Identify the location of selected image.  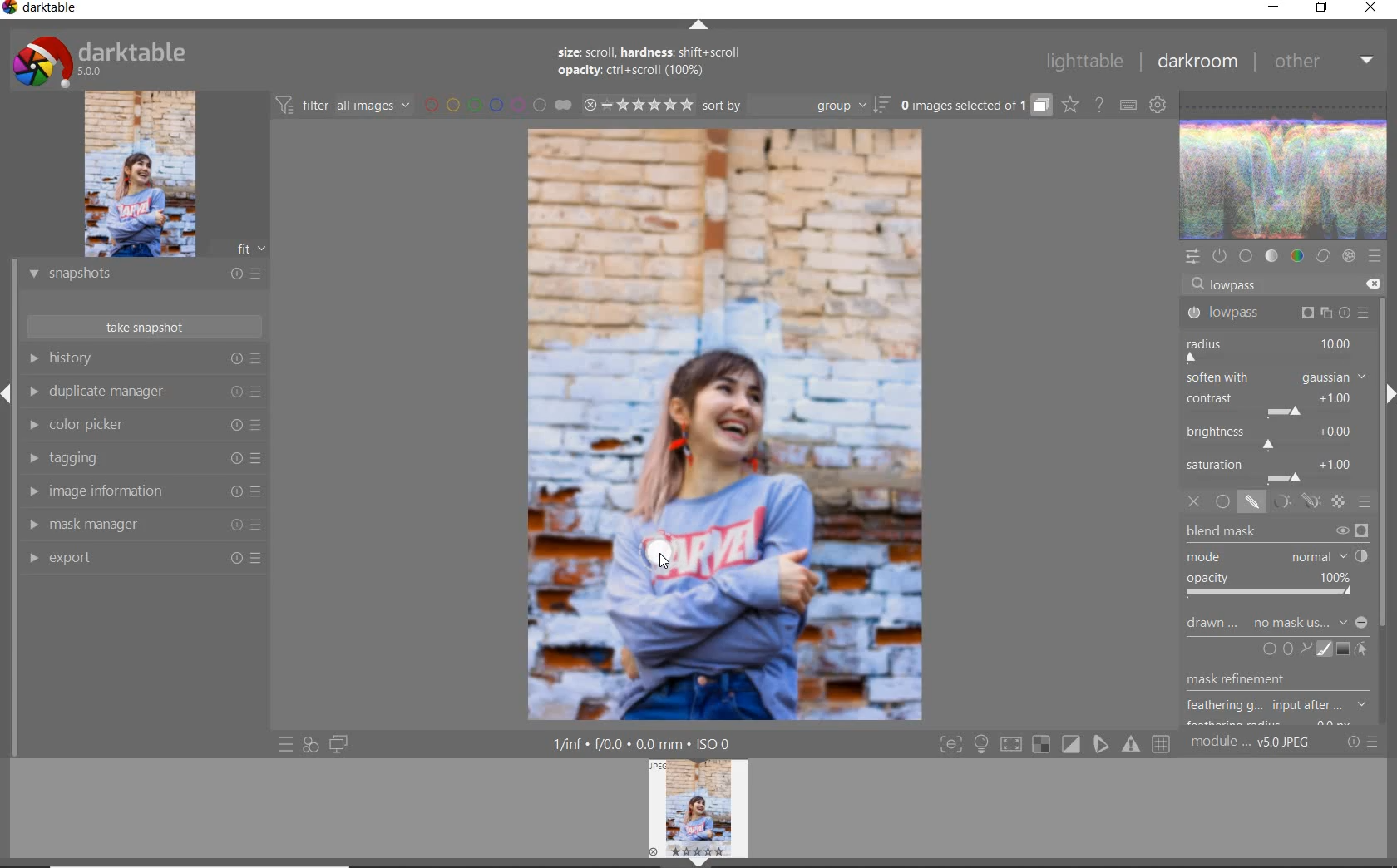
(726, 427).